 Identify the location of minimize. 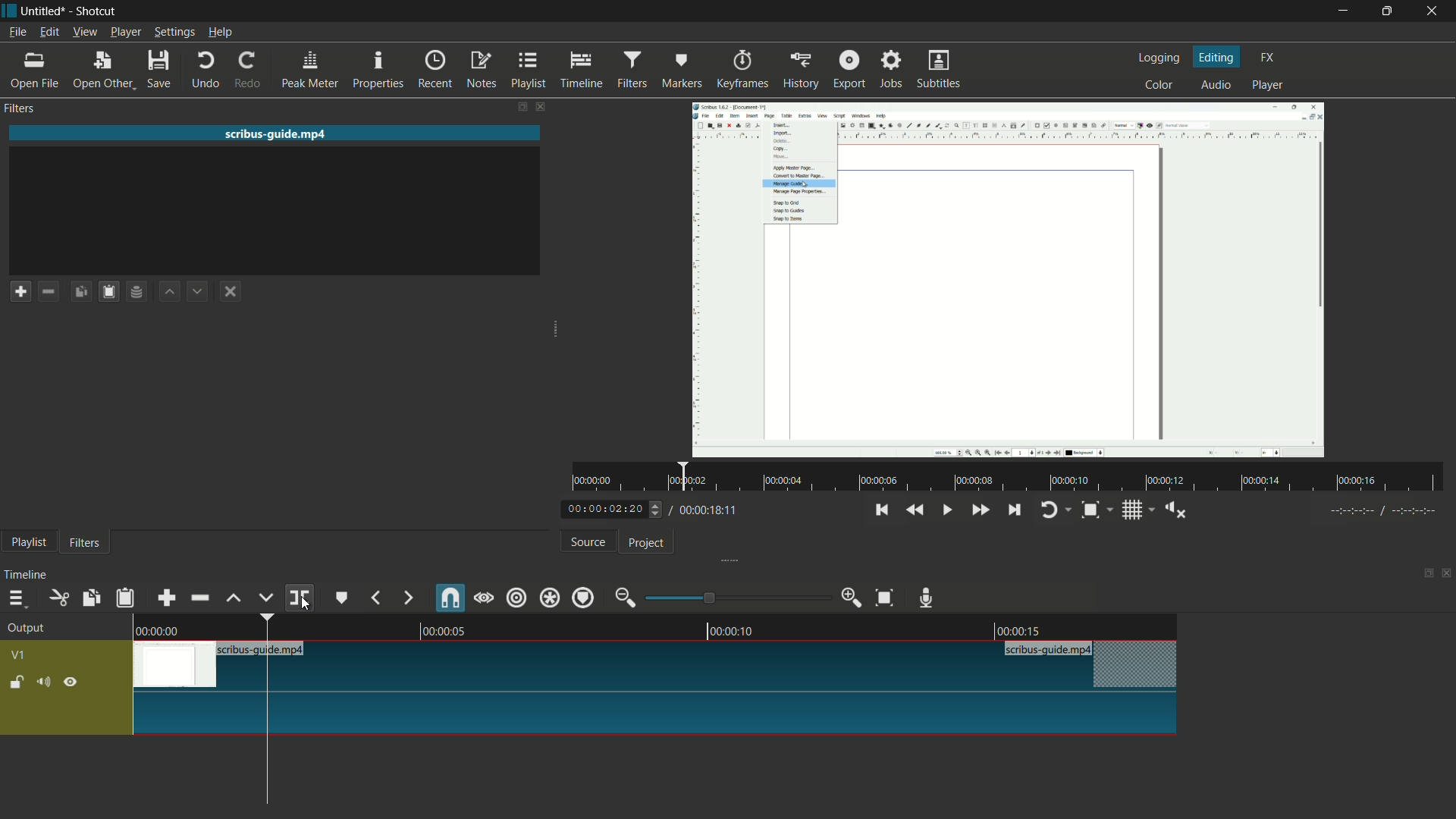
(1344, 11).